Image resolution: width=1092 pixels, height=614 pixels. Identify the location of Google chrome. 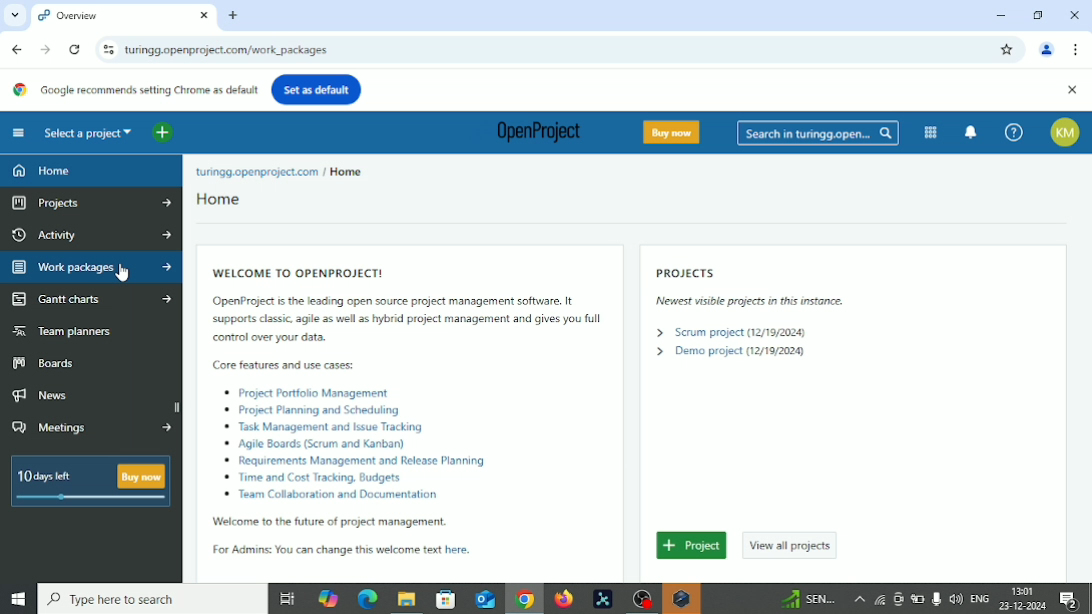
(524, 601).